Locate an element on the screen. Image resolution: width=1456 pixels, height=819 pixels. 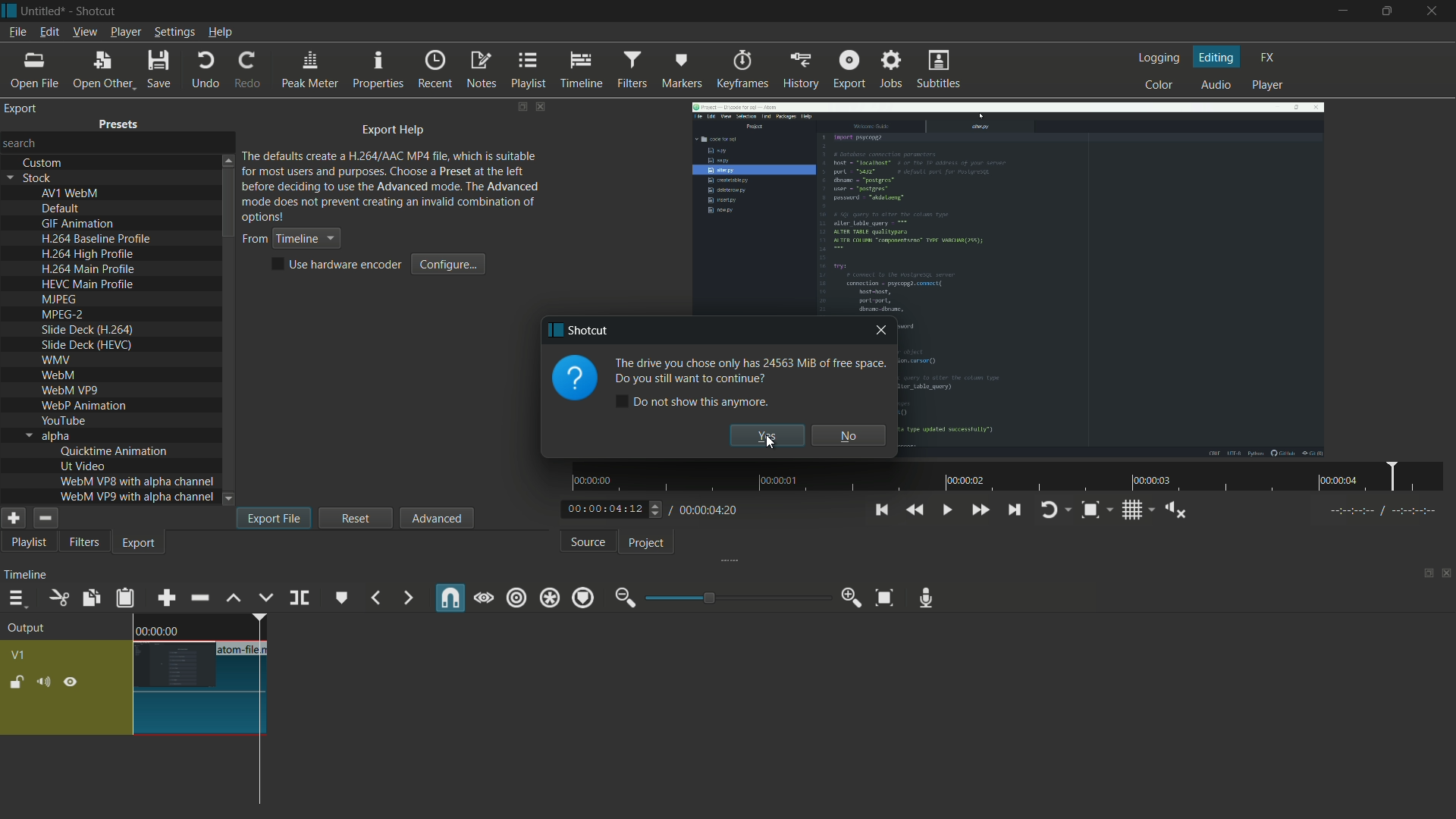
redo is located at coordinates (252, 71).